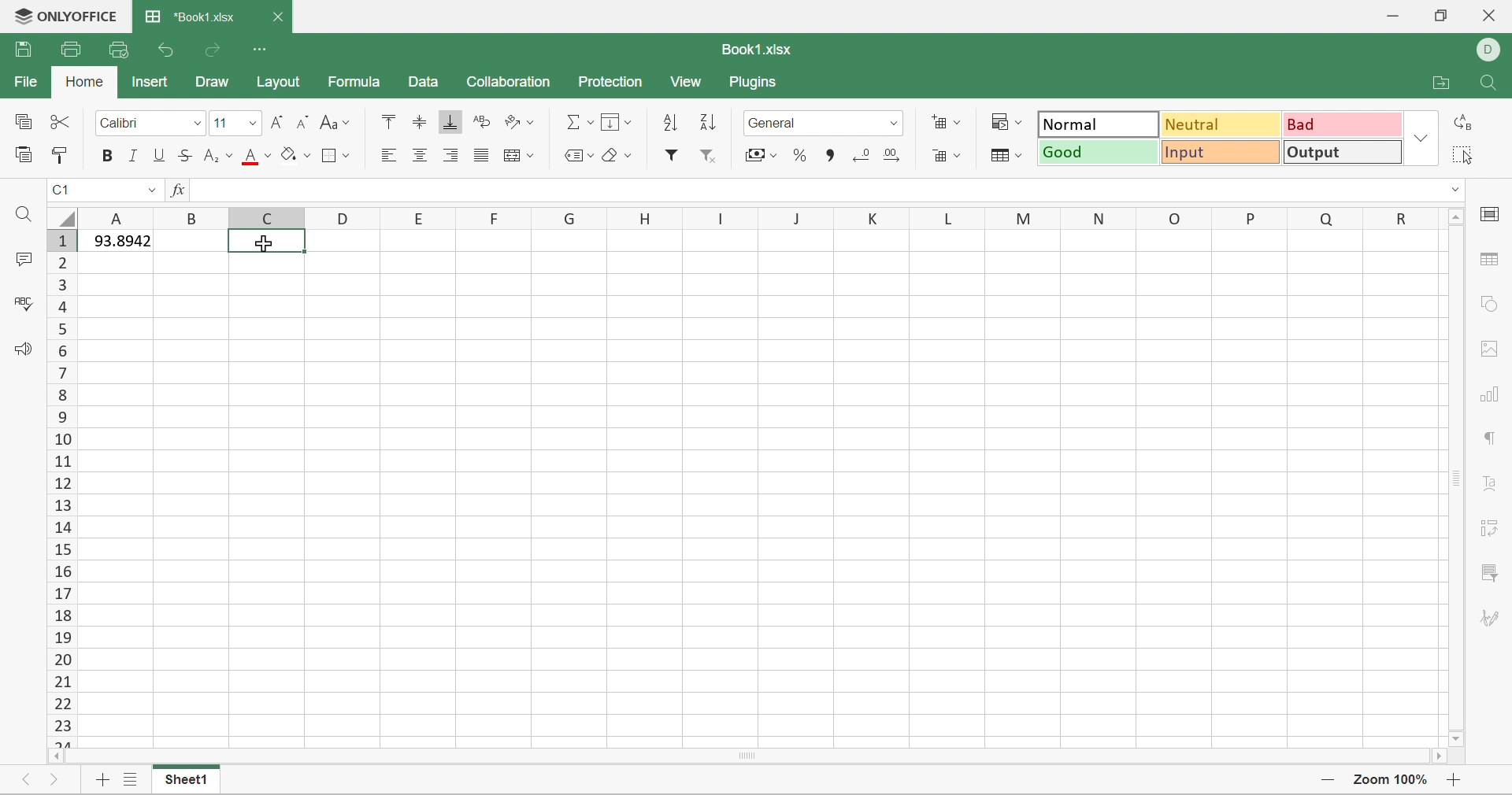 The width and height of the screenshot is (1512, 795). I want to click on Conditional formatting, so click(1007, 121).